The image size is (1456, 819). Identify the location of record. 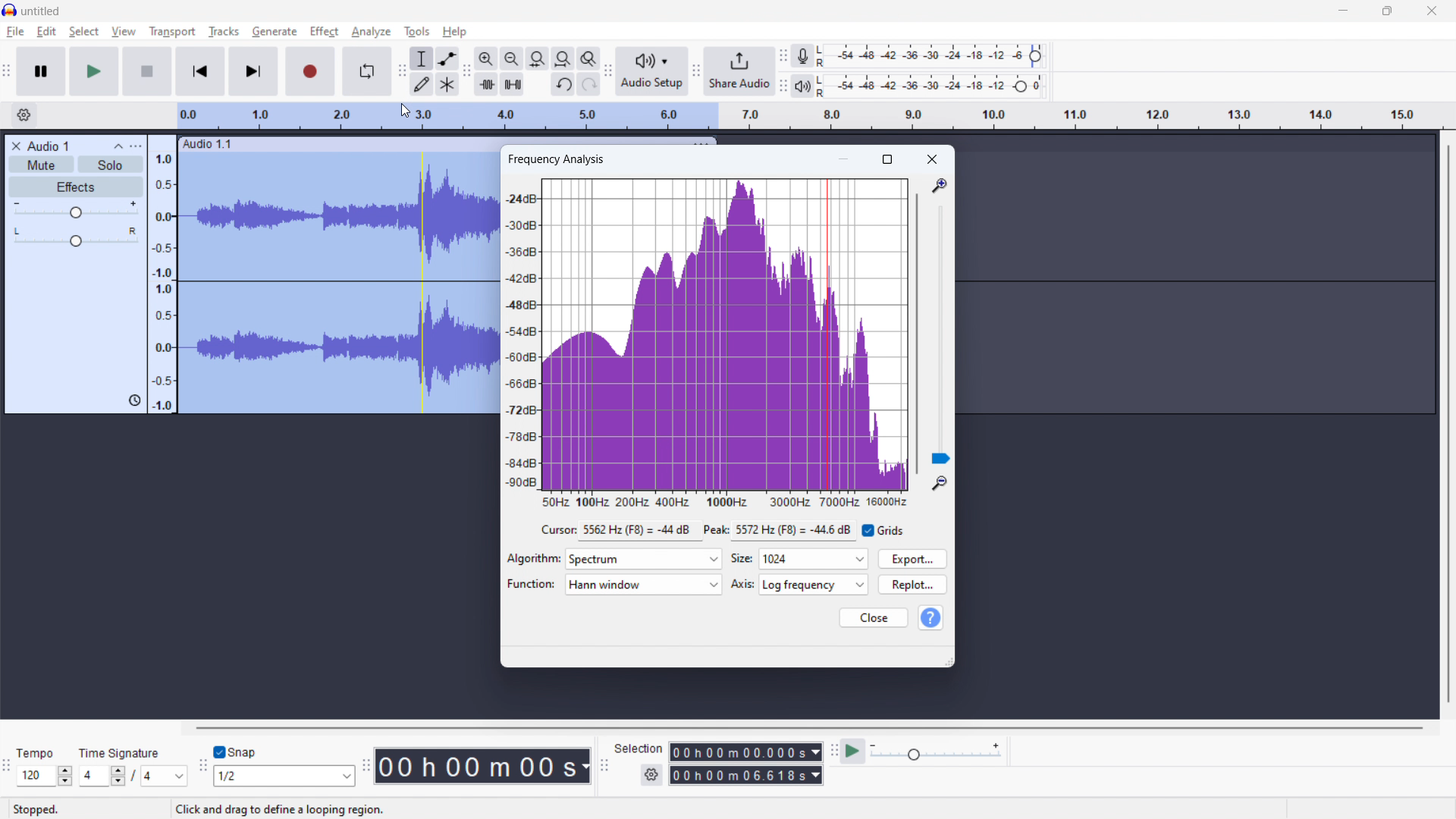
(309, 71).